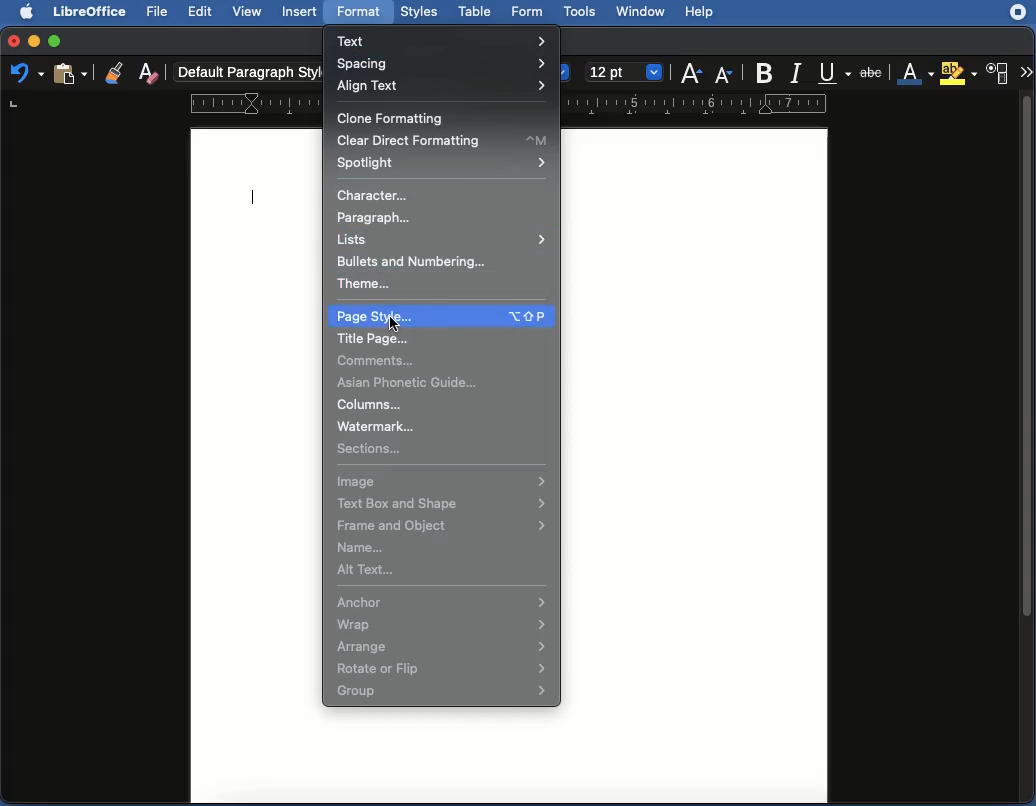 The height and width of the screenshot is (806, 1036). What do you see at coordinates (441, 505) in the screenshot?
I see `Text box and shape` at bounding box center [441, 505].